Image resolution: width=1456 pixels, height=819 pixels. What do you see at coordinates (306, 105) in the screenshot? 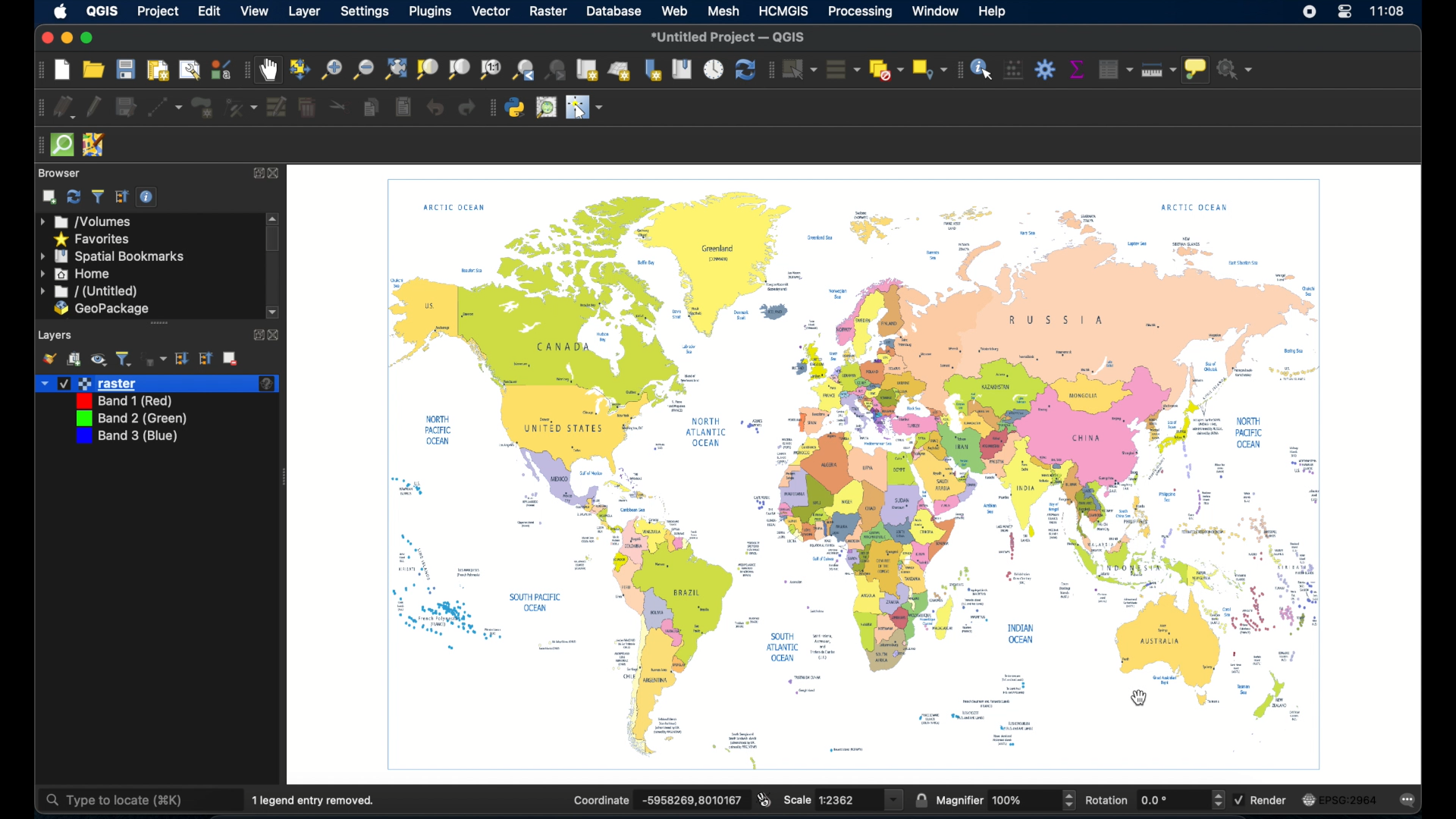
I see `delete selected` at bounding box center [306, 105].